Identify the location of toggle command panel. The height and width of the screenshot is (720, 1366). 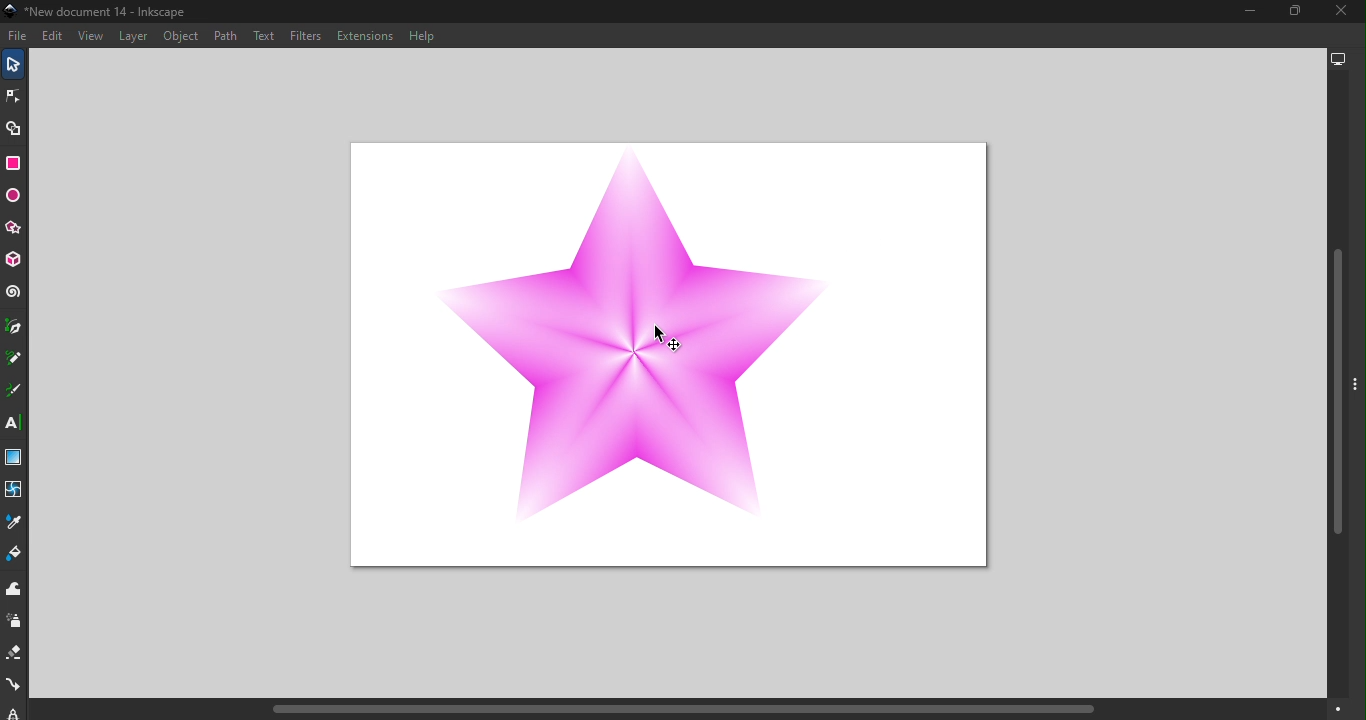
(1357, 387).